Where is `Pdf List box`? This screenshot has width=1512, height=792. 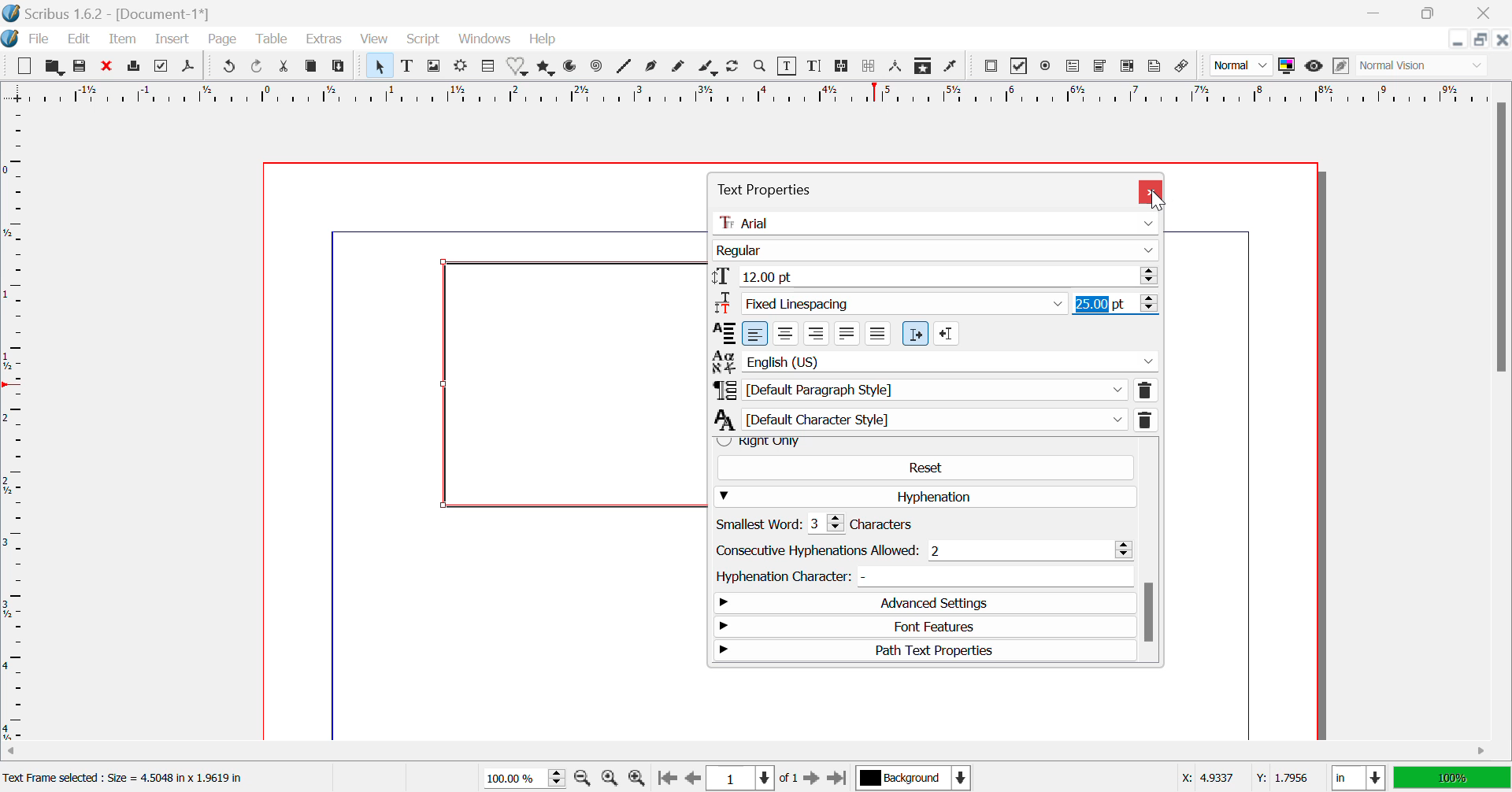 Pdf List box is located at coordinates (1125, 67).